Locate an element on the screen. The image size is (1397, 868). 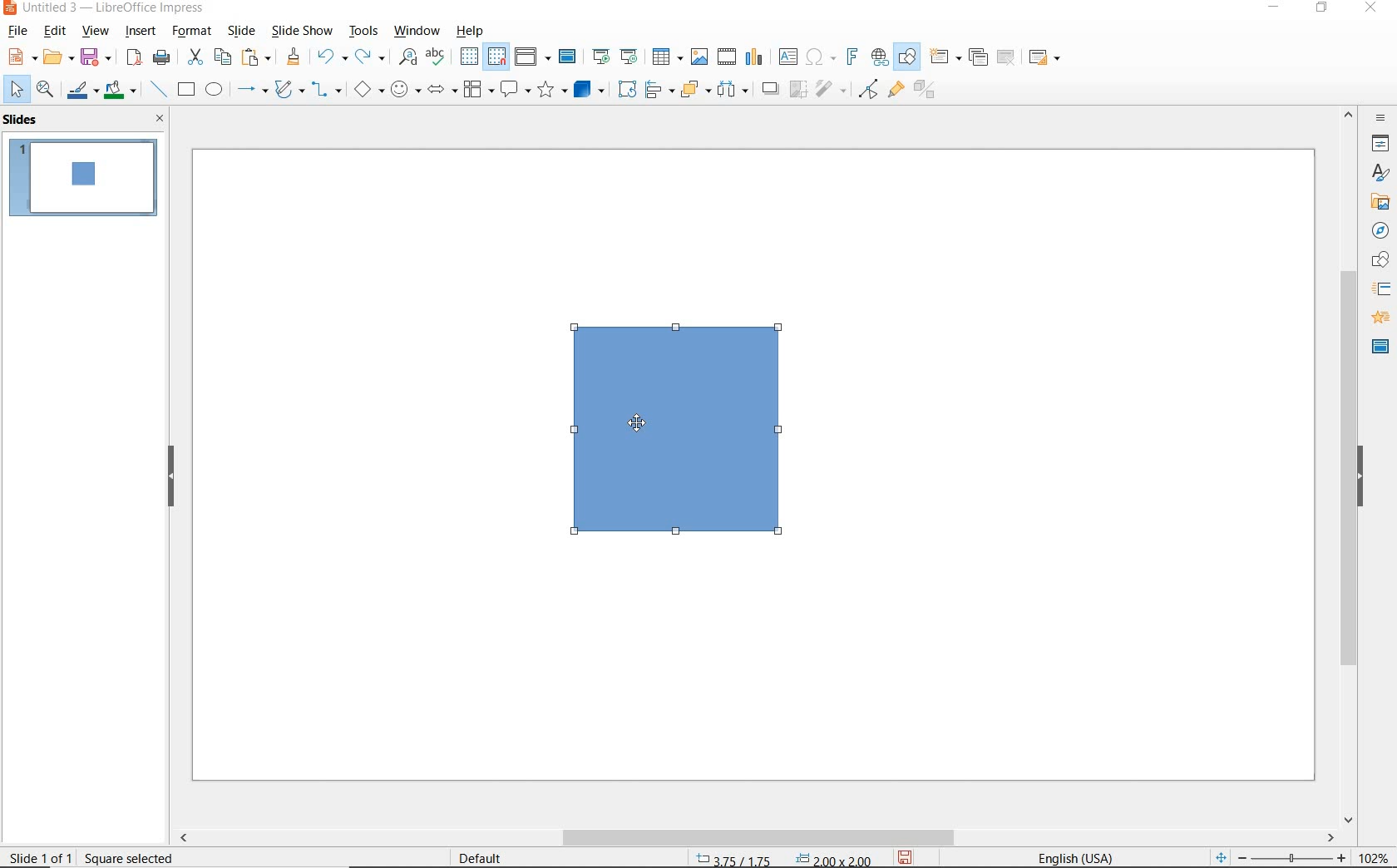
zoom out or zoom in is located at coordinates (1281, 856).